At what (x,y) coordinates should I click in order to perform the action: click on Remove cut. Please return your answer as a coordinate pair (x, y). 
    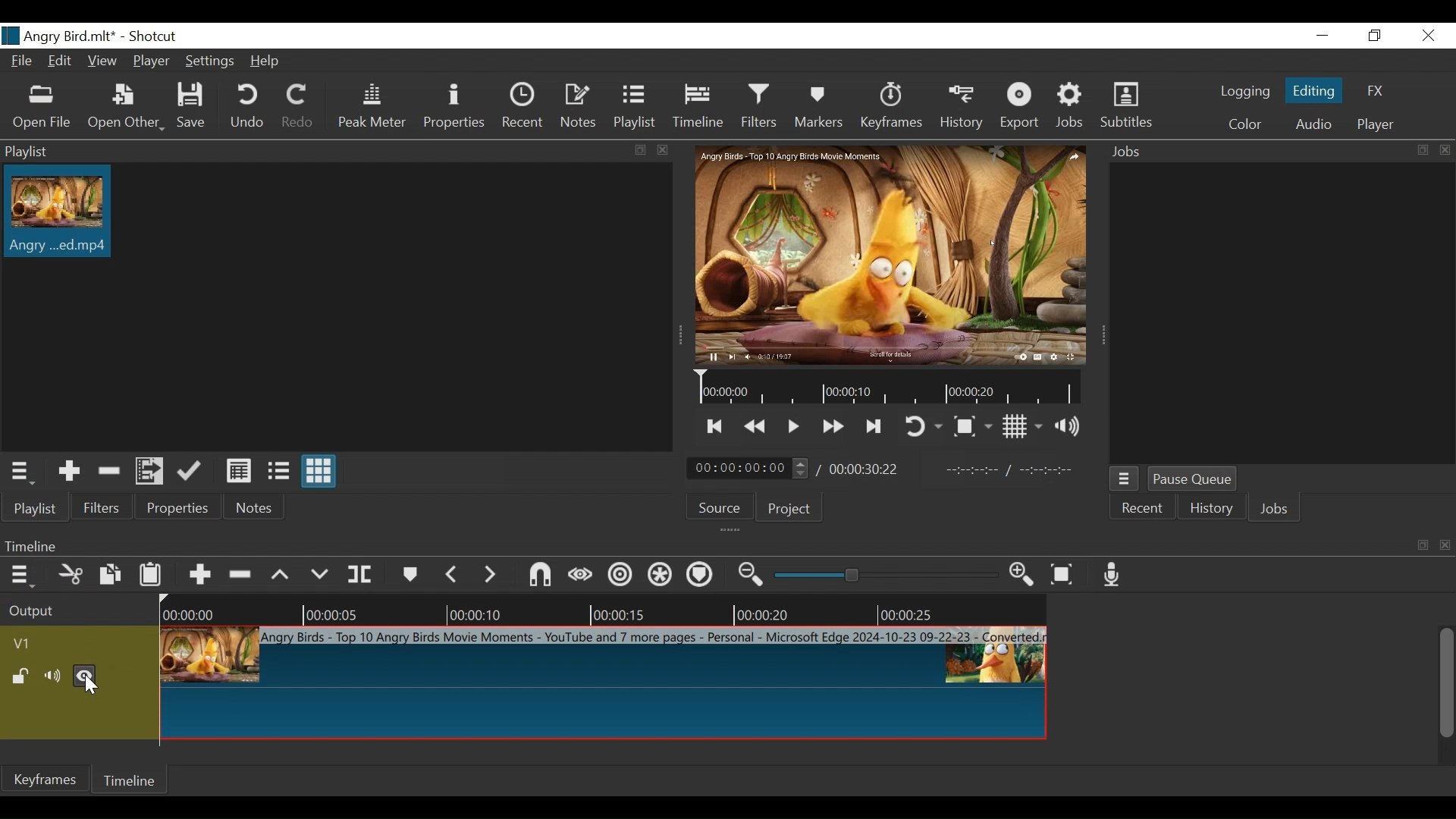
    Looking at the image, I should click on (105, 471).